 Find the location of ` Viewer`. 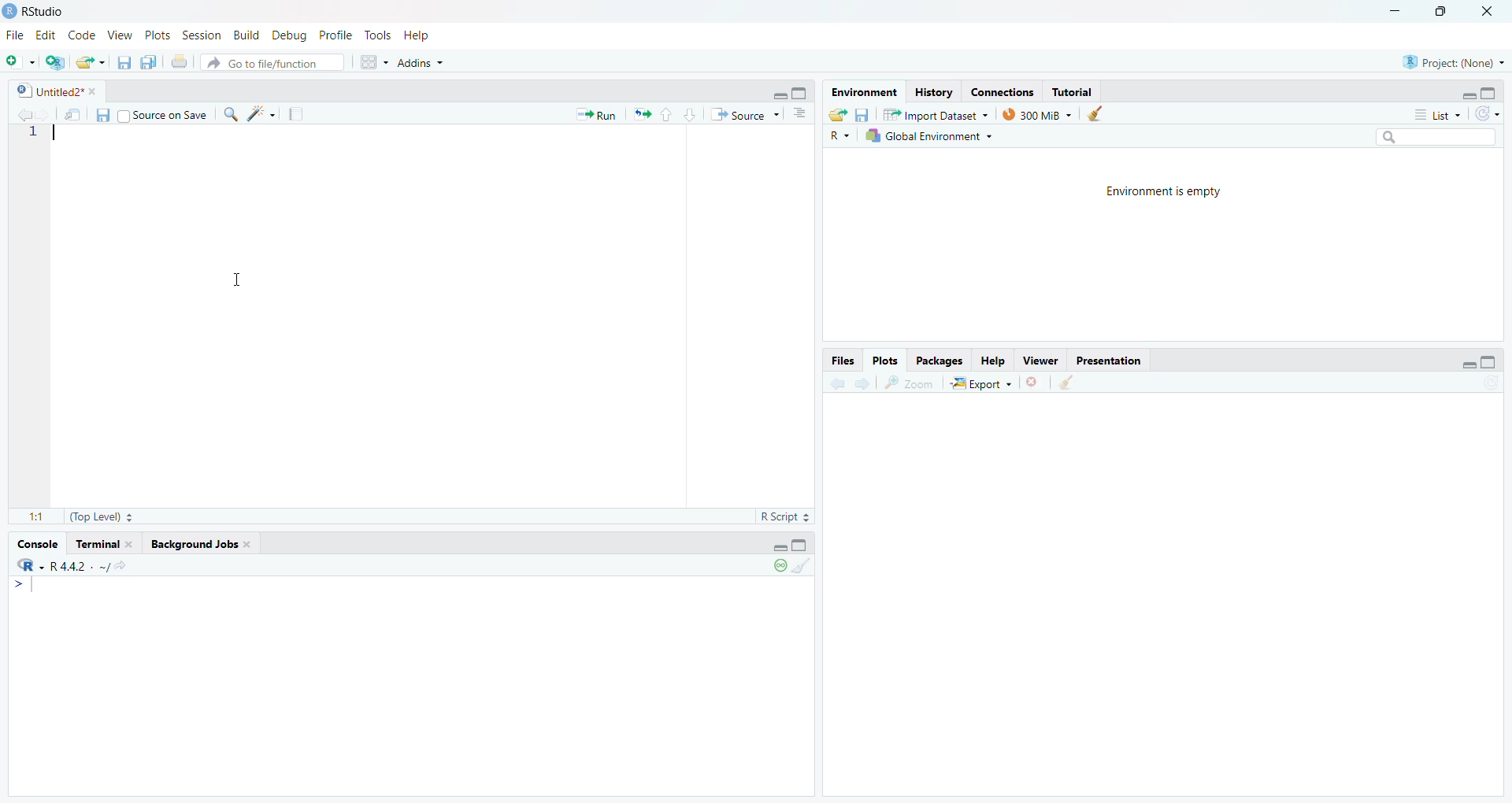

 Viewer is located at coordinates (1042, 361).